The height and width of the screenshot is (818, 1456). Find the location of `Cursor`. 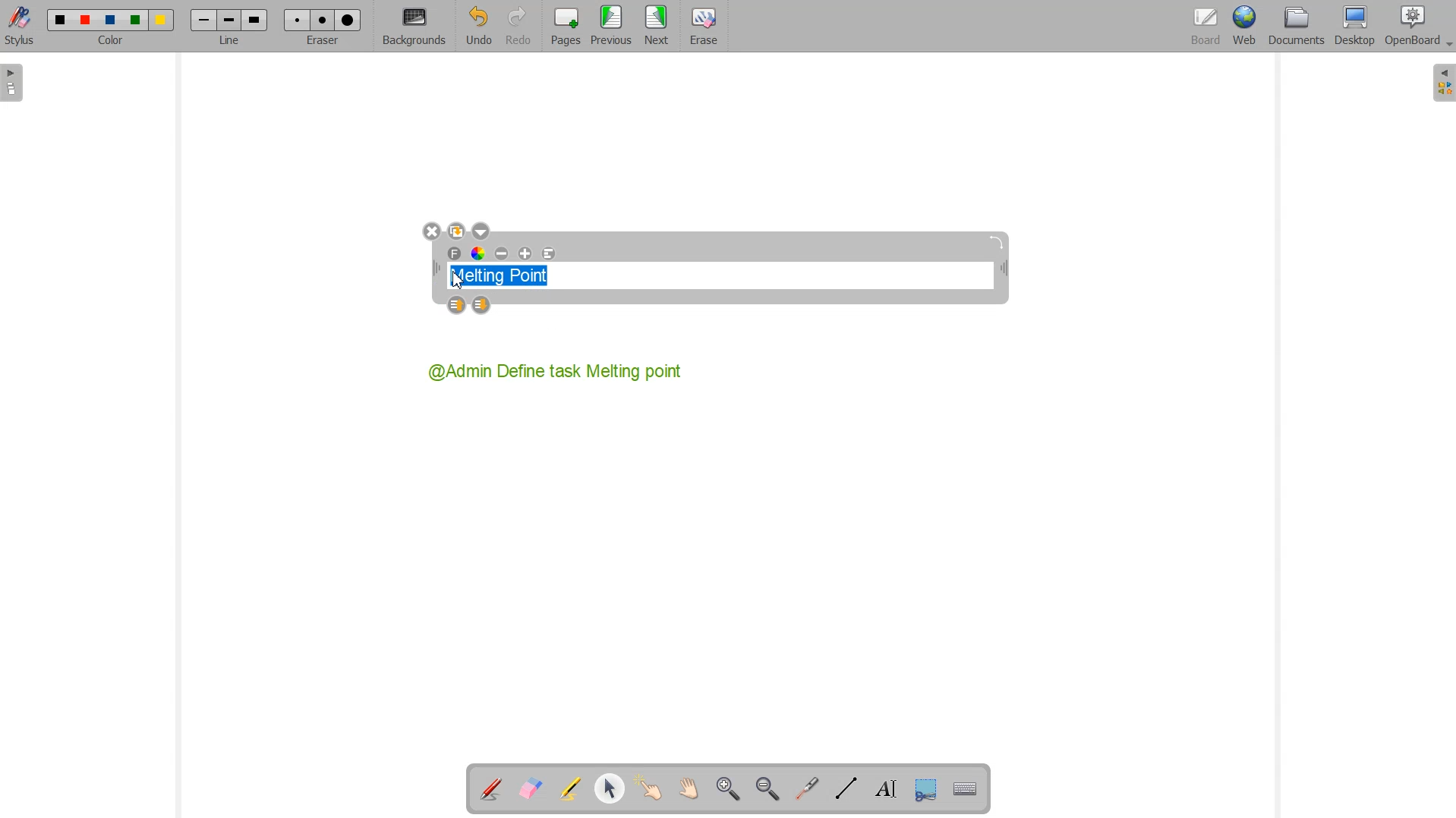

Cursor is located at coordinates (459, 280).